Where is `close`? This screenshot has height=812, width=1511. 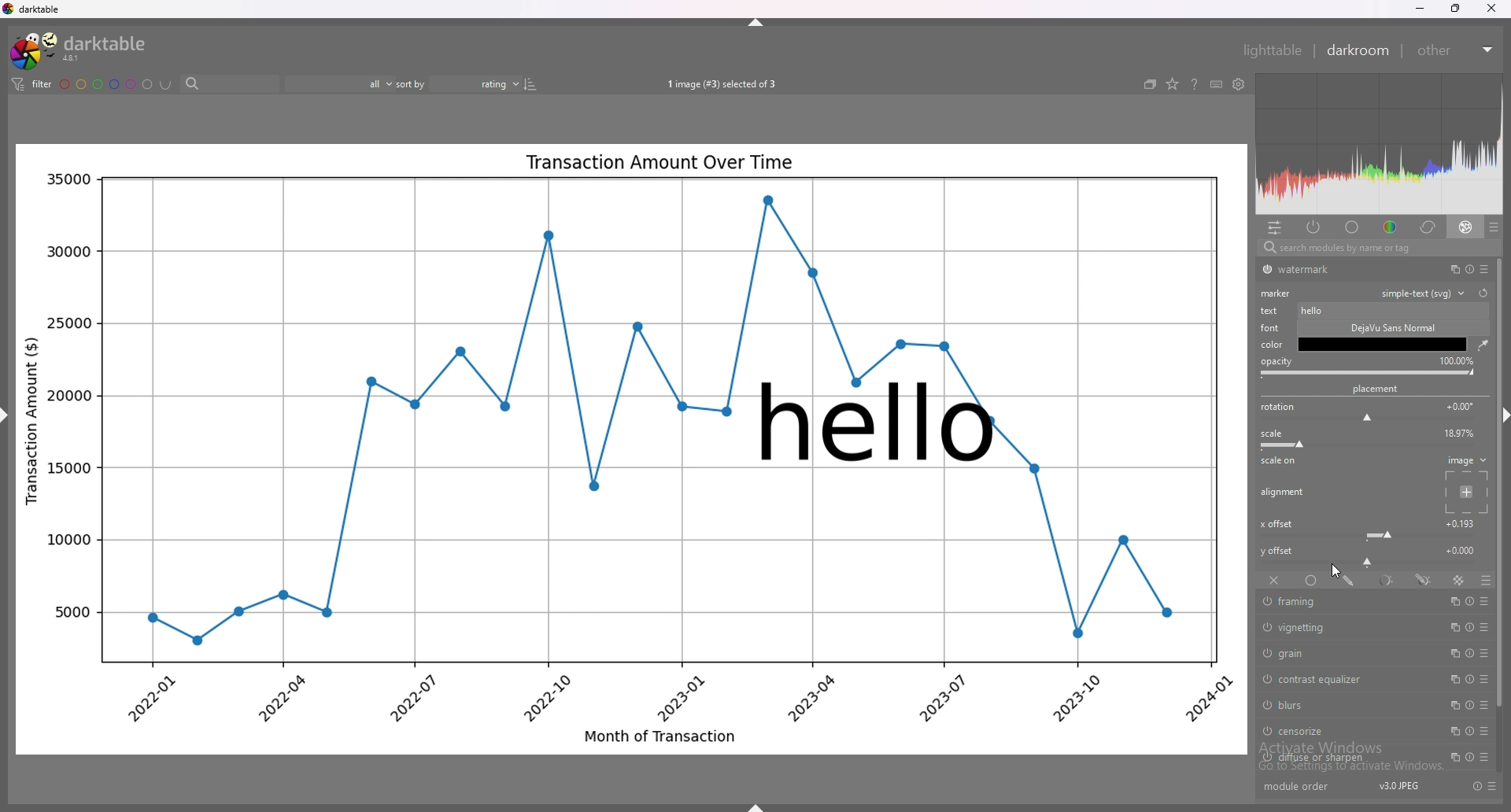 close is located at coordinates (1489, 9).